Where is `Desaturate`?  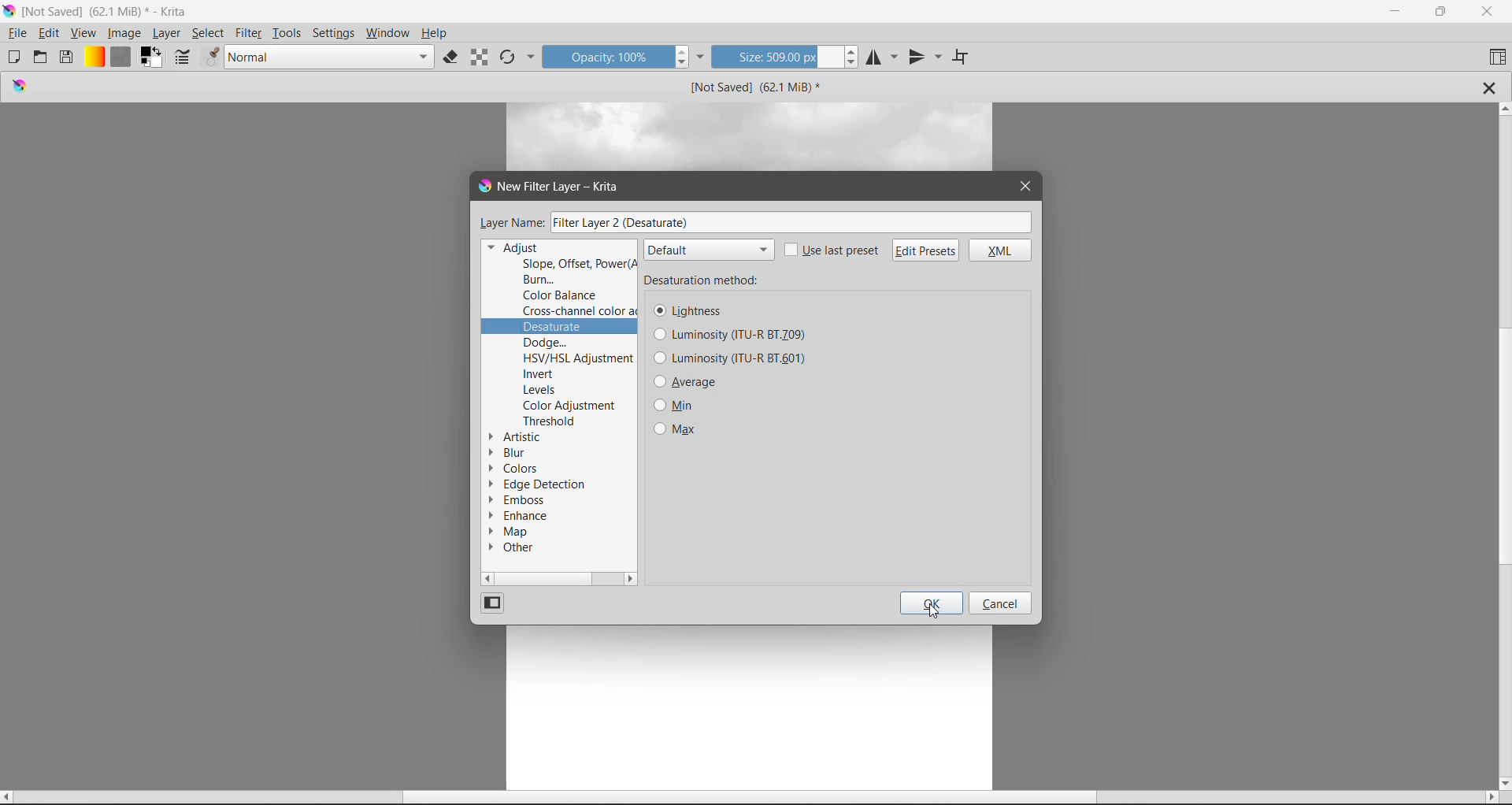 Desaturate is located at coordinates (561, 327).